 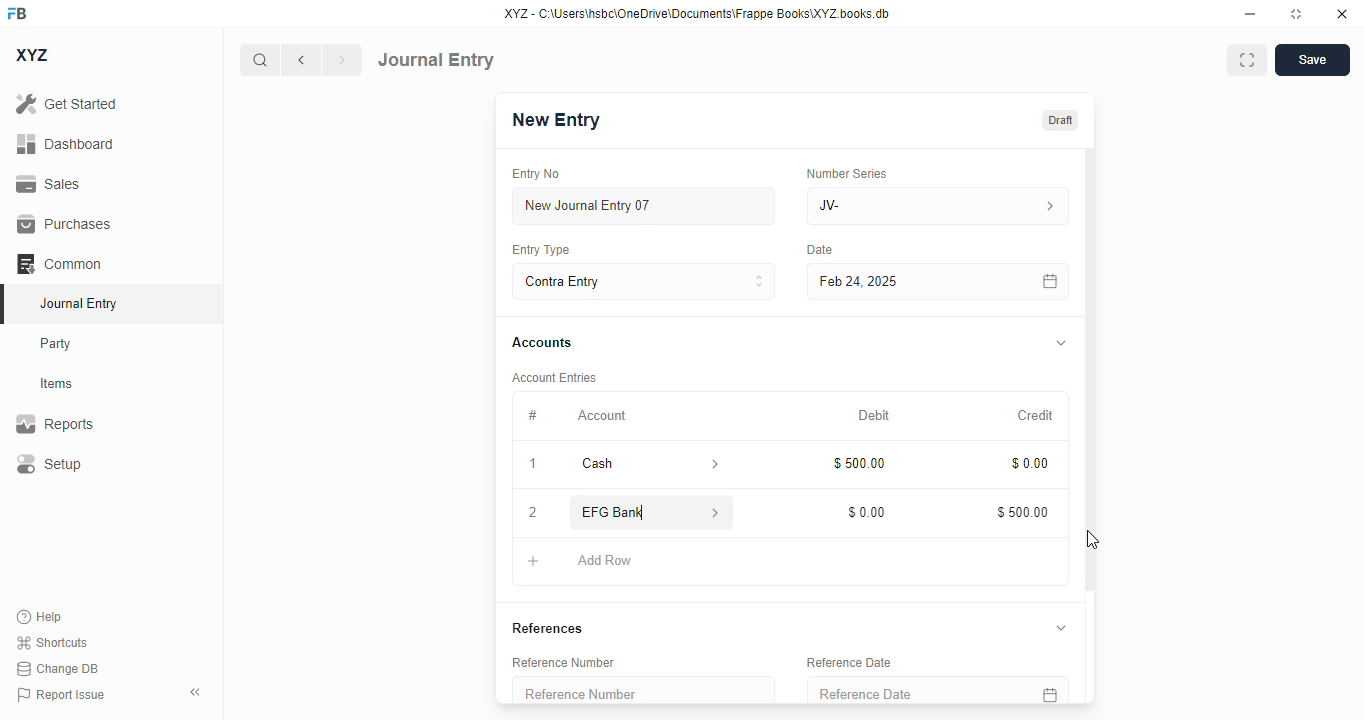 What do you see at coordinates (938, 206) in the screenshot?
I see `JV-` at bounding box center [938, 206].